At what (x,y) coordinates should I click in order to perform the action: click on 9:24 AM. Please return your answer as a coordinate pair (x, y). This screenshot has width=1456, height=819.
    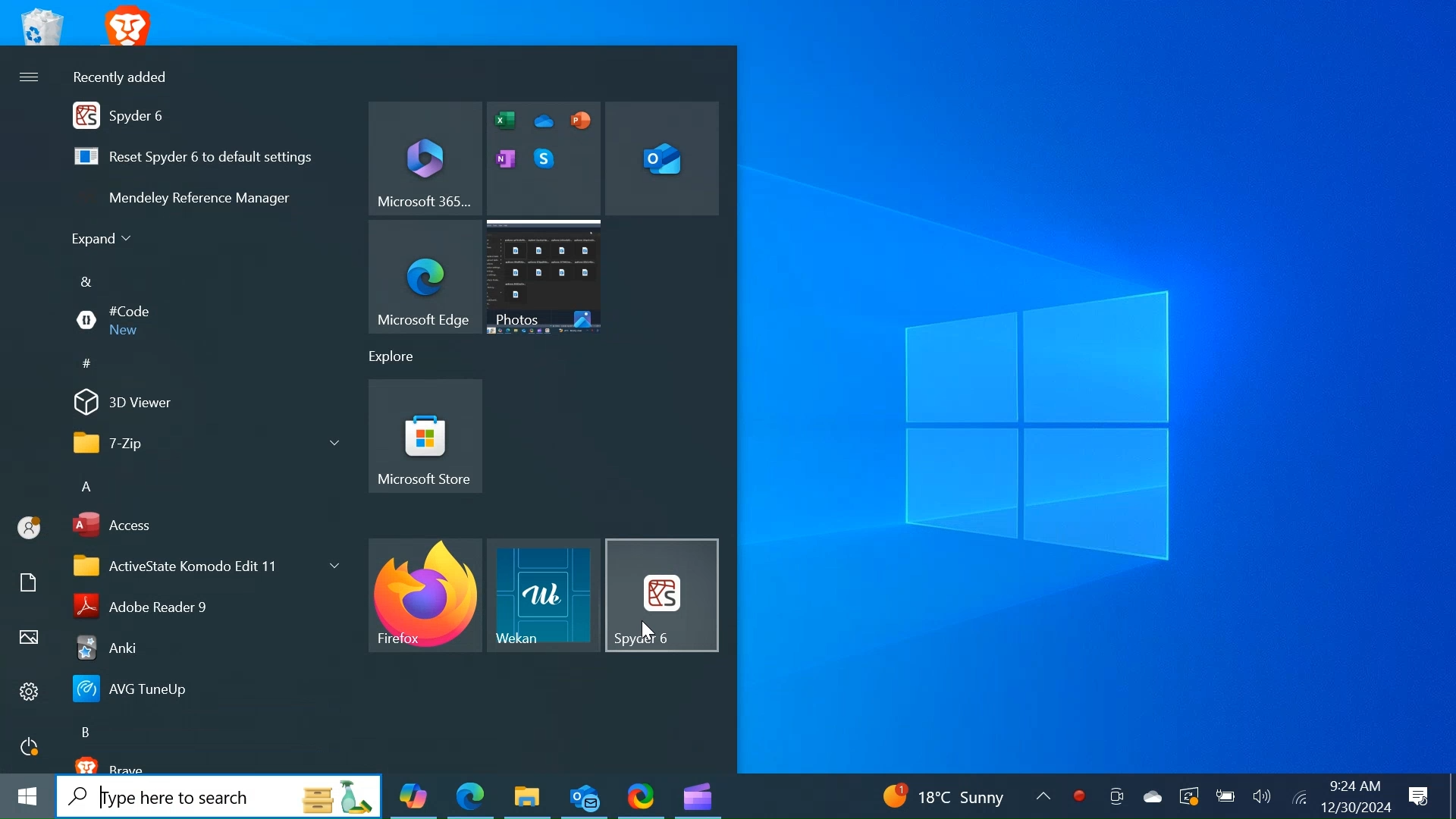
    Looking at the image, I should click on (1354, 786).